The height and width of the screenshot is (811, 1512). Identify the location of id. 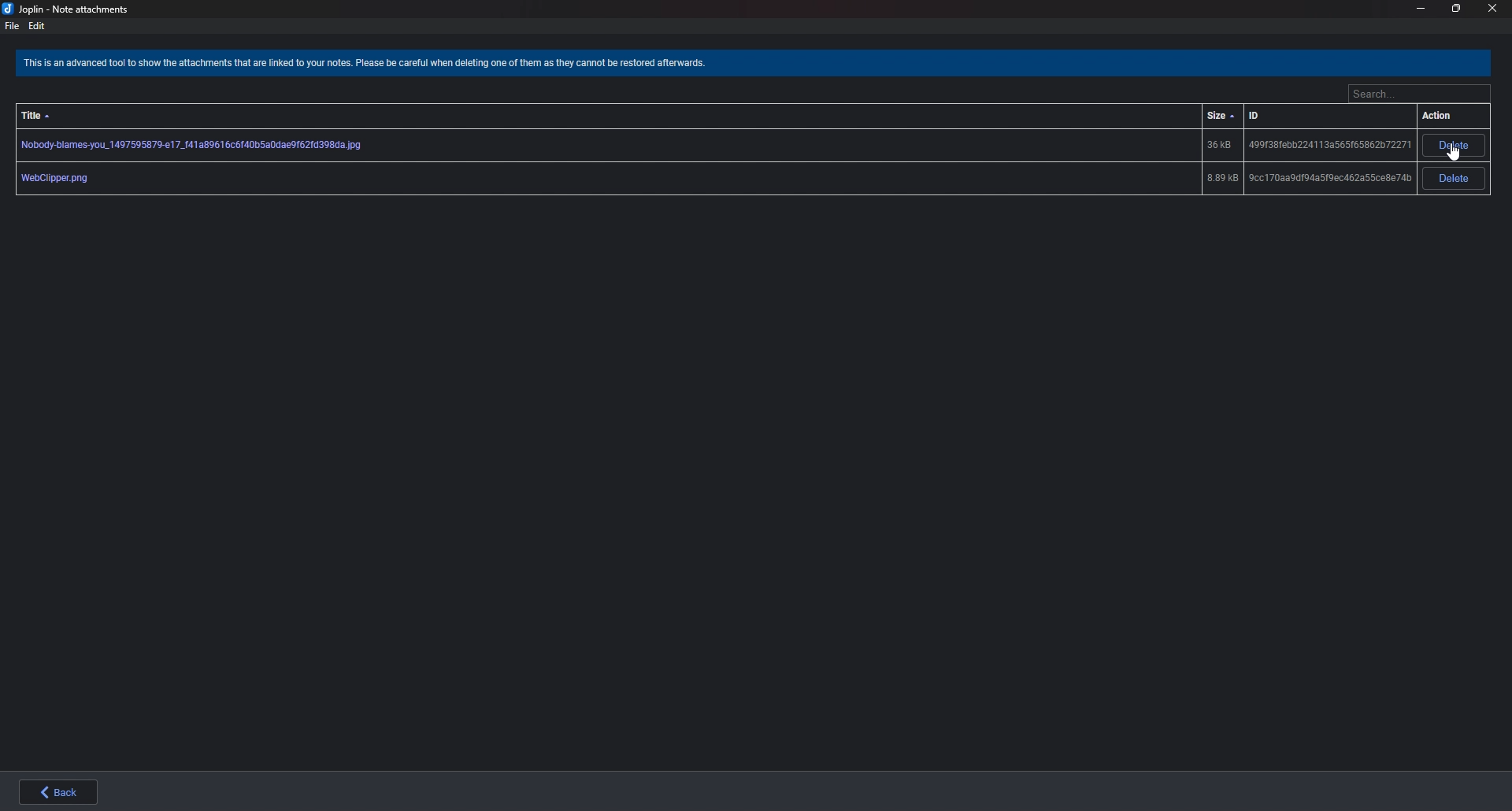
(1262, 116).